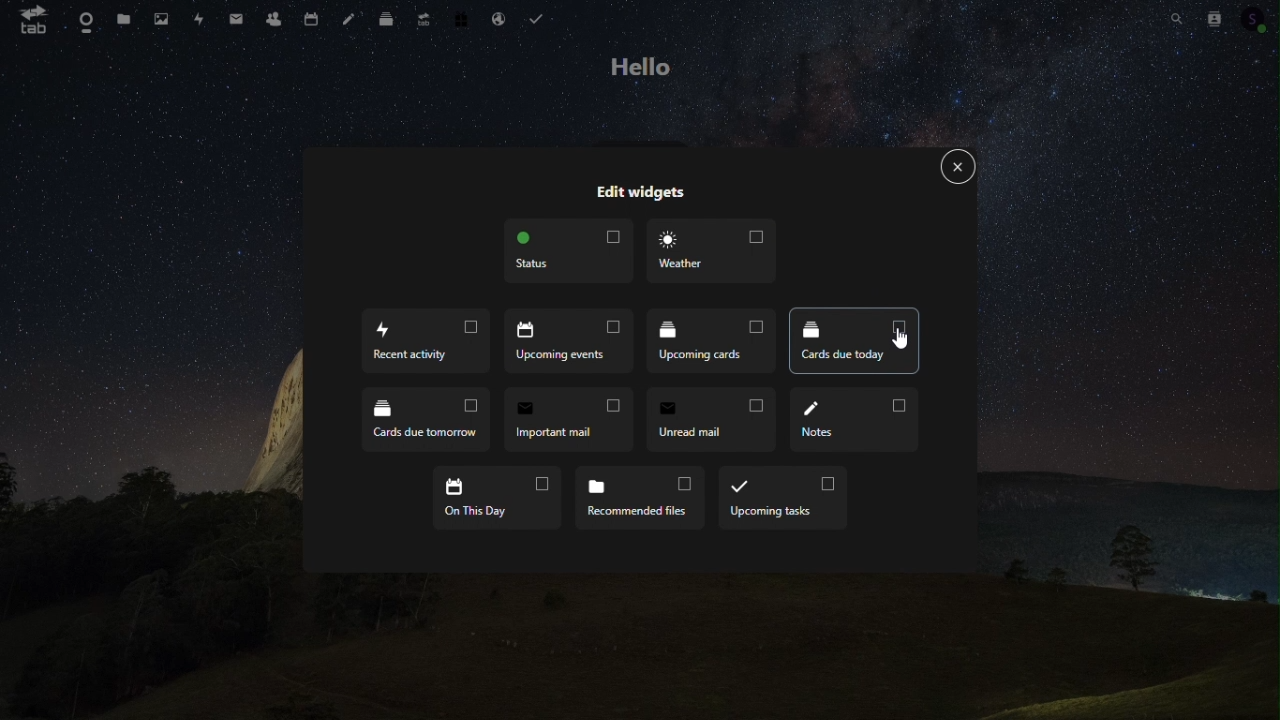  What do you see at coordinates (713, 339) in the screenshot?
I see `Upcoming cars` at bounding box center [713, 339].